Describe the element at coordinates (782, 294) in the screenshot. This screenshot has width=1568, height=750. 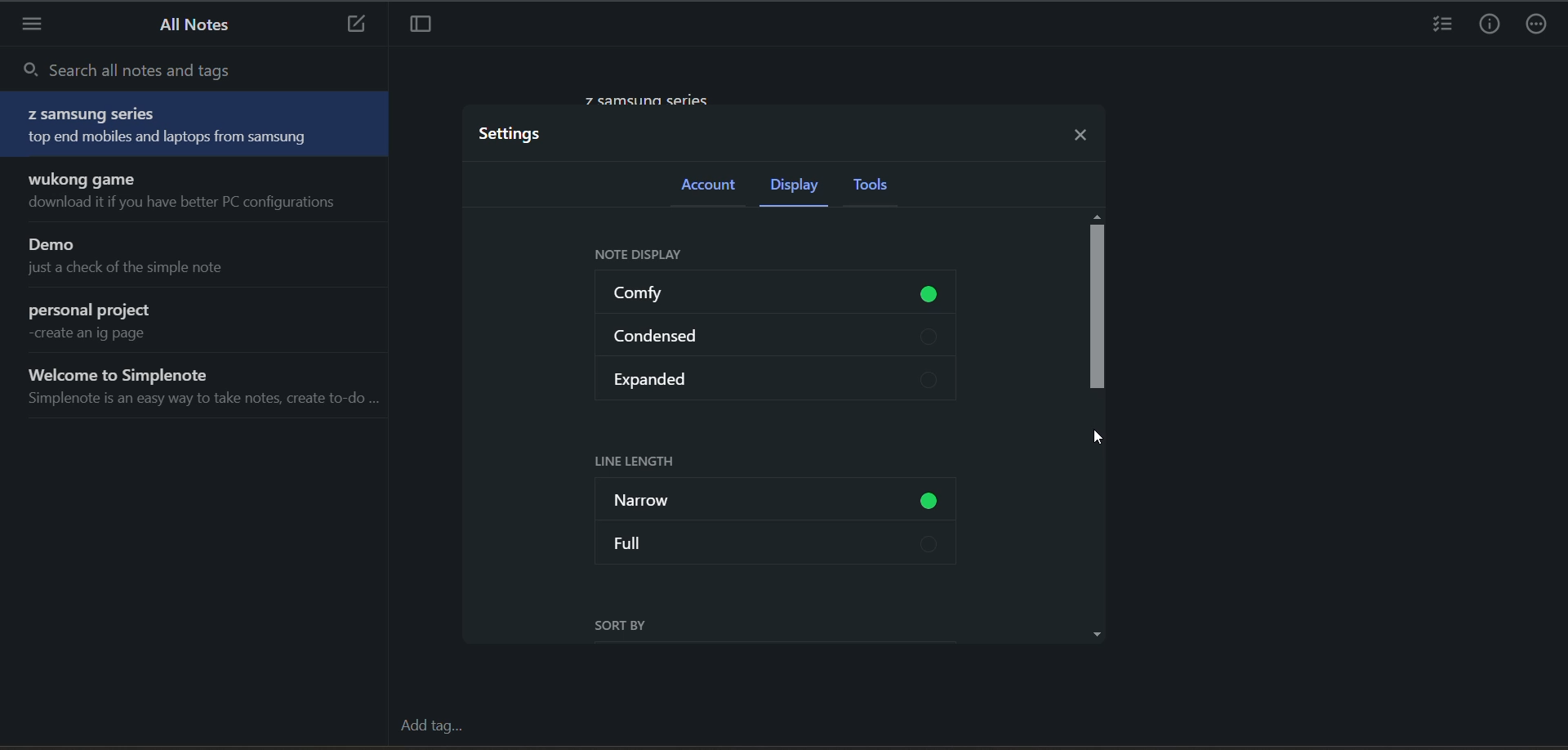
I see `comfy` at that location.